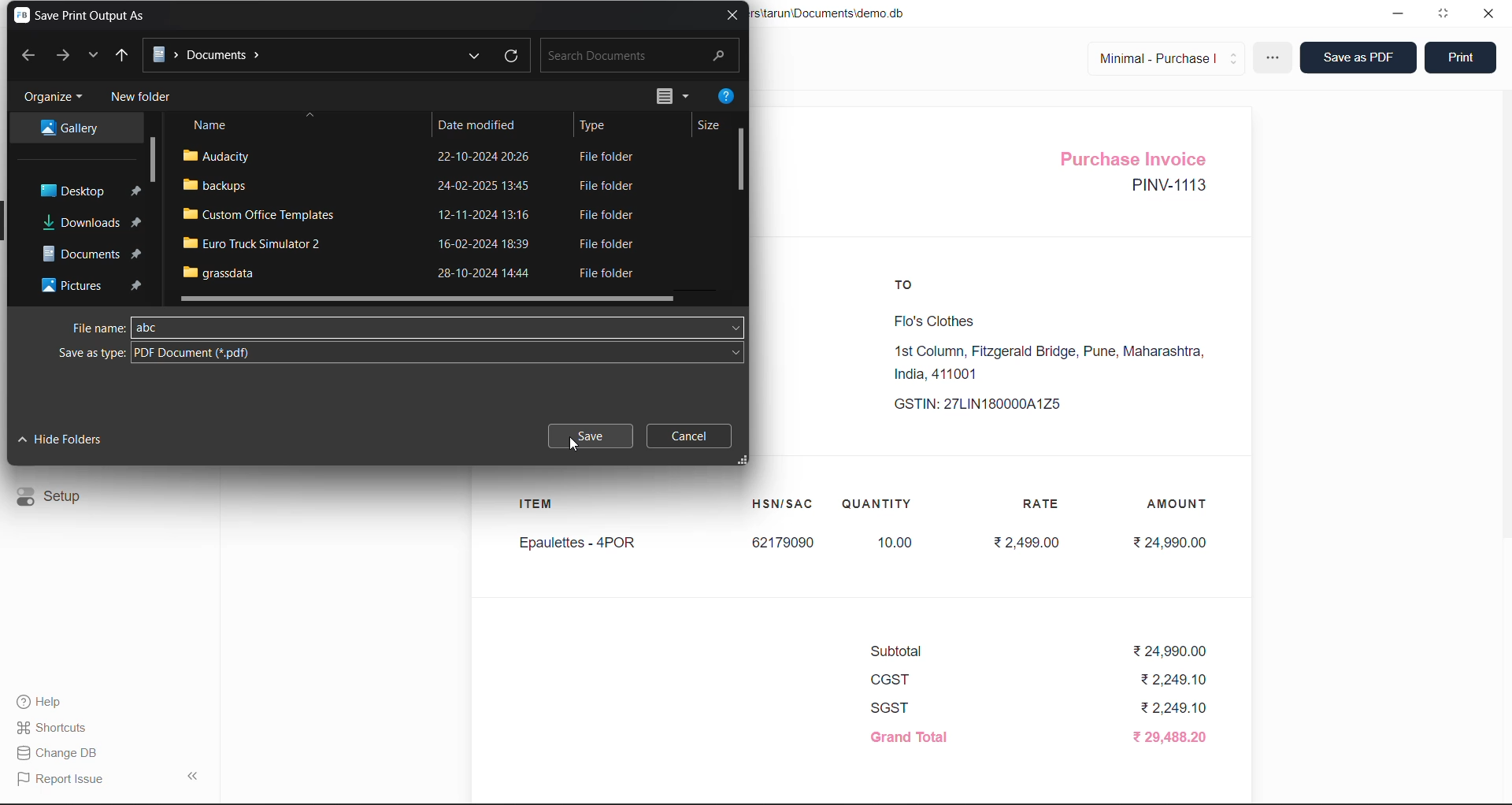  I want to click on 16-02-2024 18:39, so click(484, 243).